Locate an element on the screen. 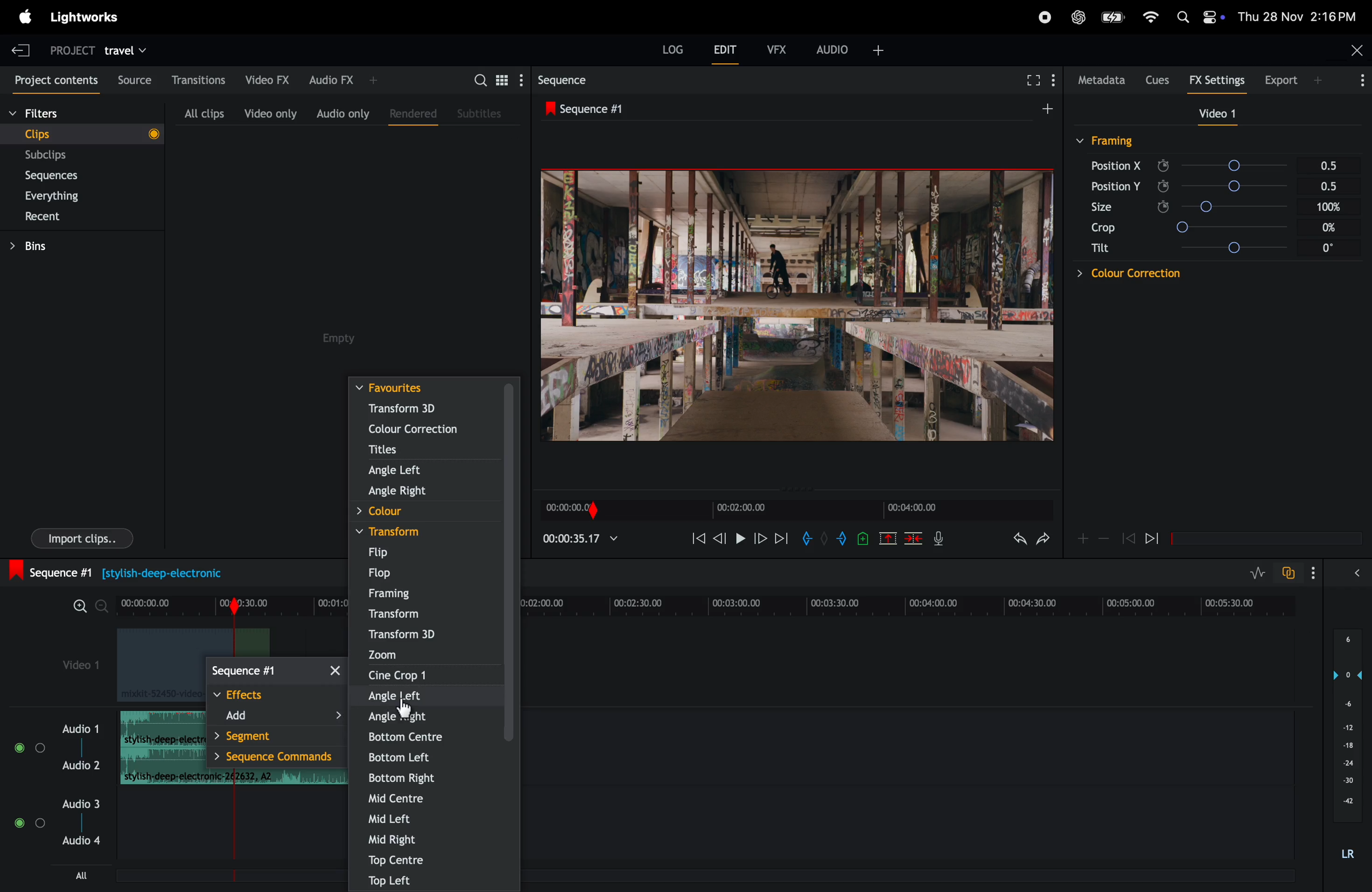  options is located at coordinates (1321, 573).